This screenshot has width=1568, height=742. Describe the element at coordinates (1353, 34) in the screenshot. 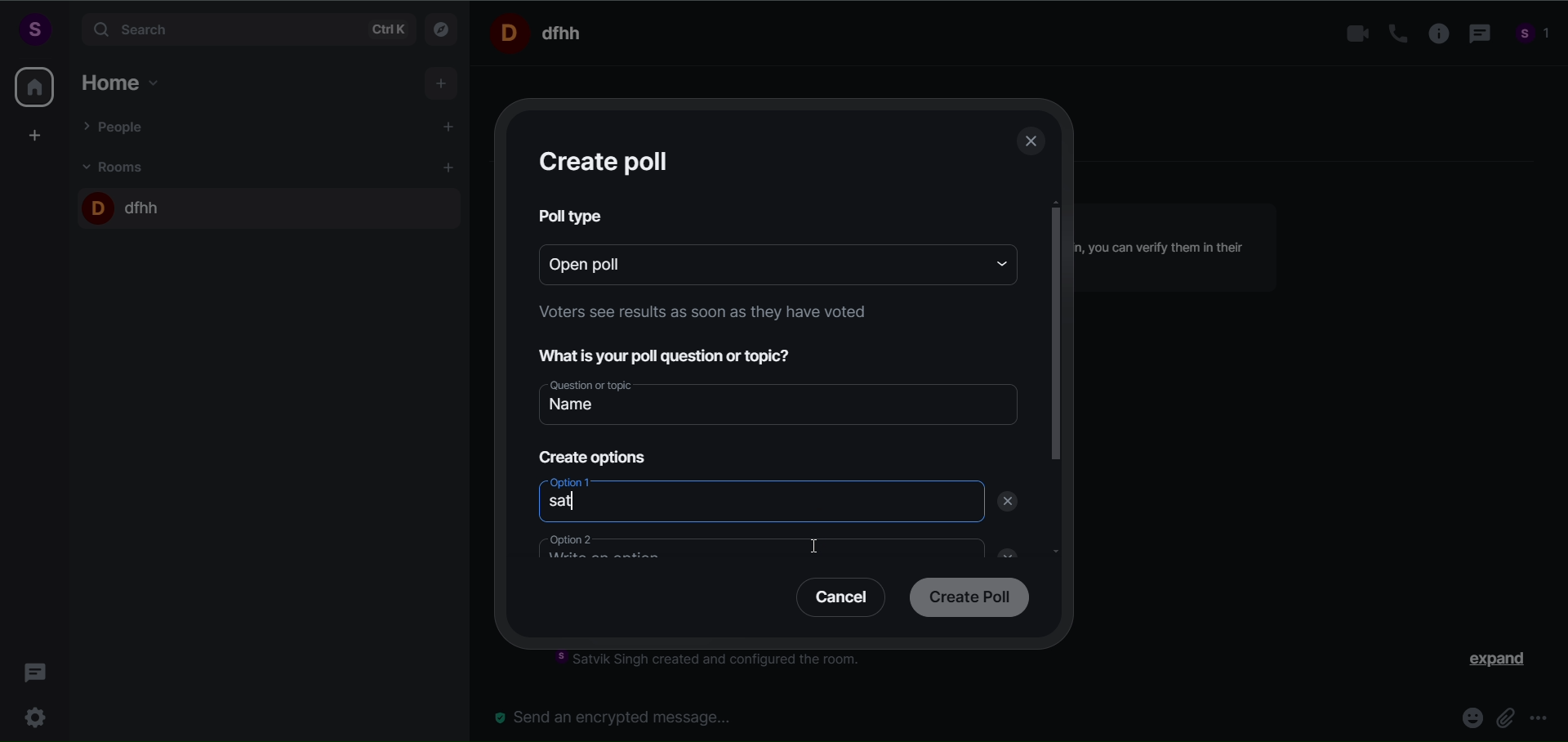

I see `video call` at that location.